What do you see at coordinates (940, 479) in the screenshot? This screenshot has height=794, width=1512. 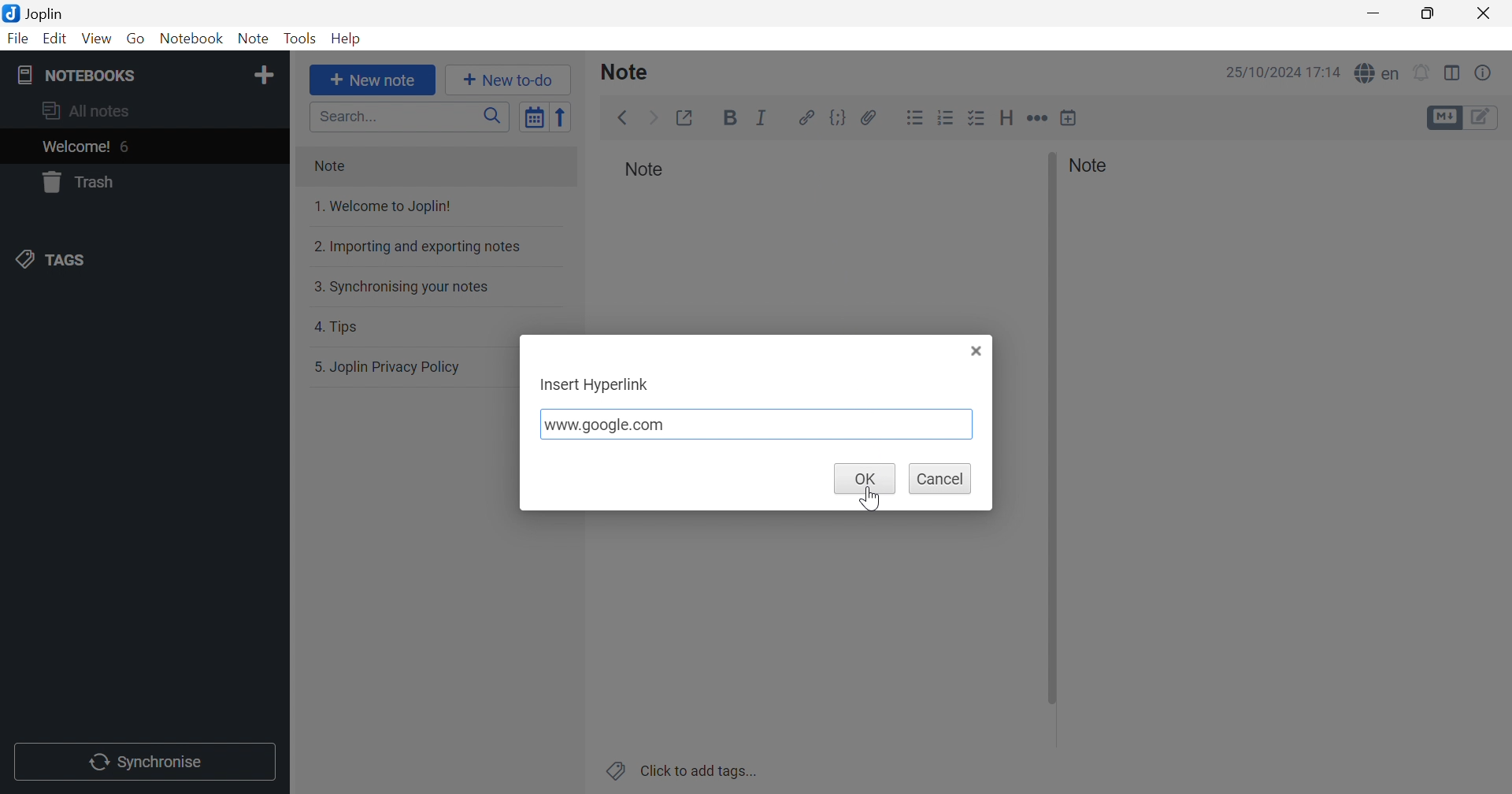 I see `cancel` at bounding box center [940, 479].